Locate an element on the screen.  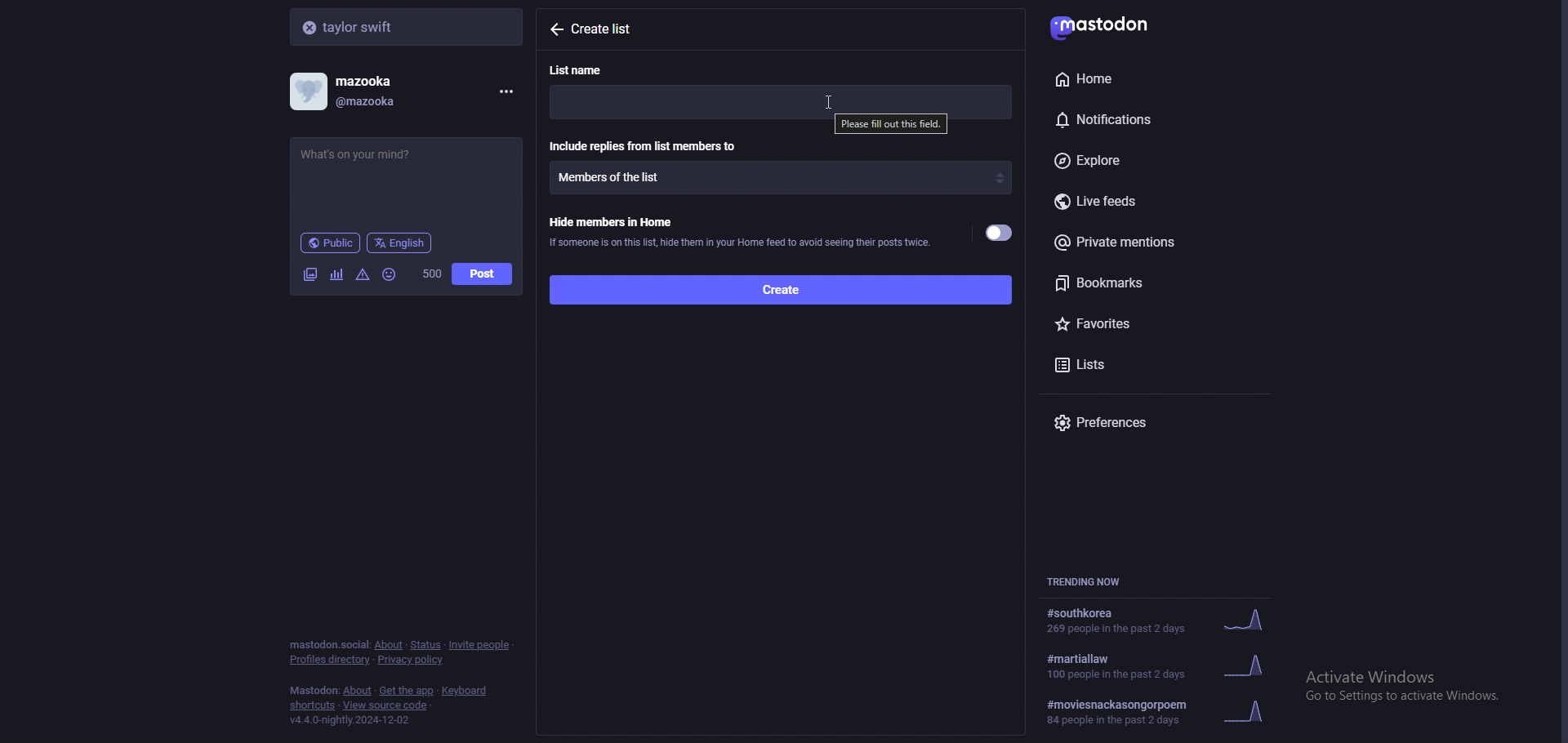
menu is located at coordinates (503, 91).